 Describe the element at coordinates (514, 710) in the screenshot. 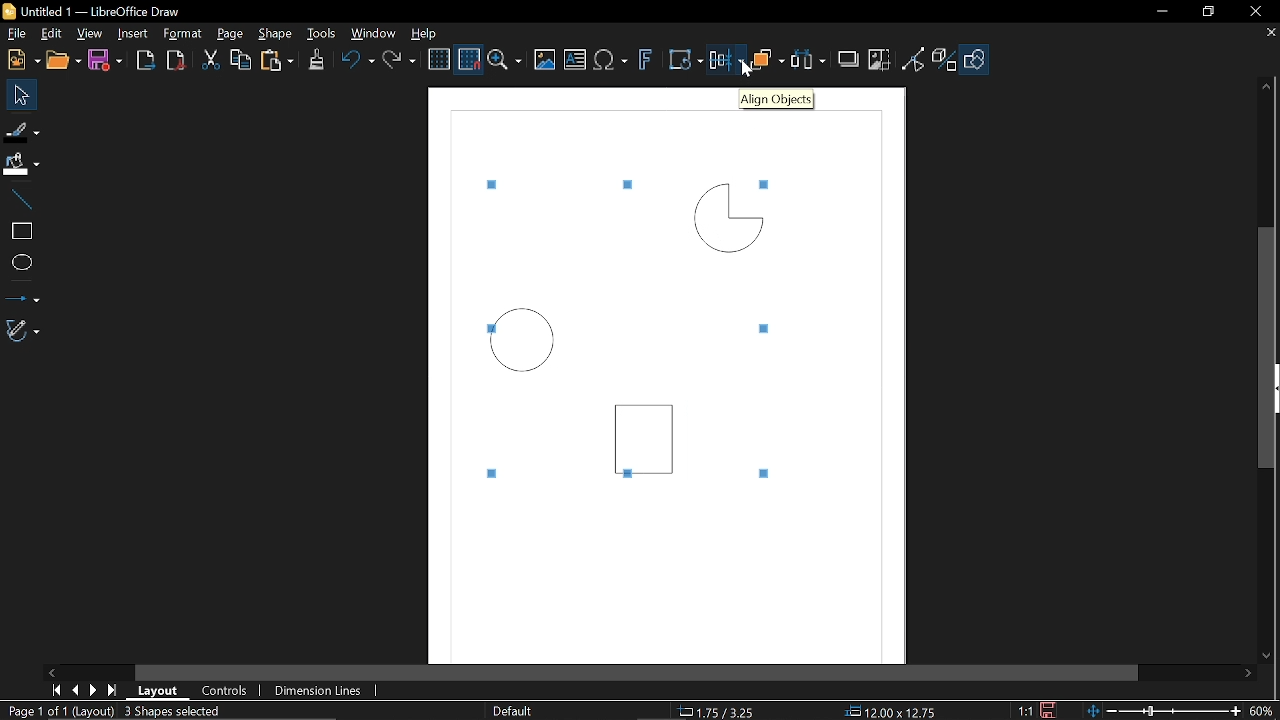

I see `slide Master name` at that location.